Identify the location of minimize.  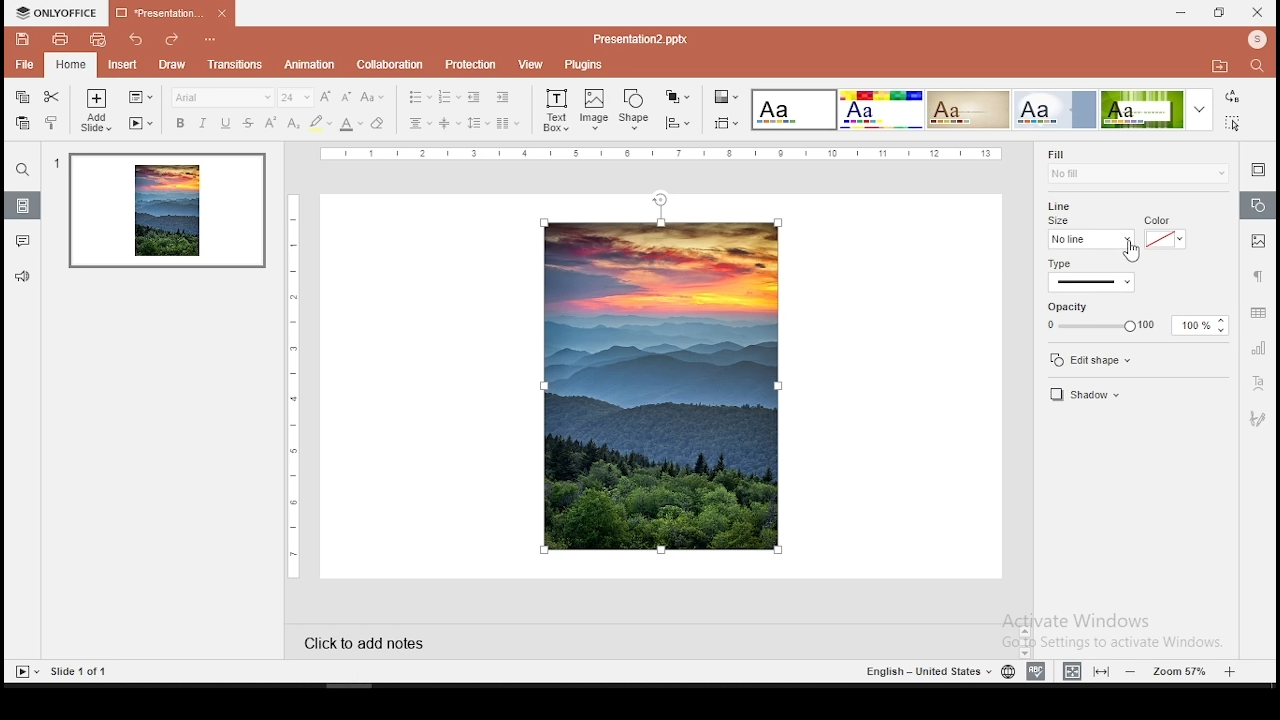
(1182, 12).